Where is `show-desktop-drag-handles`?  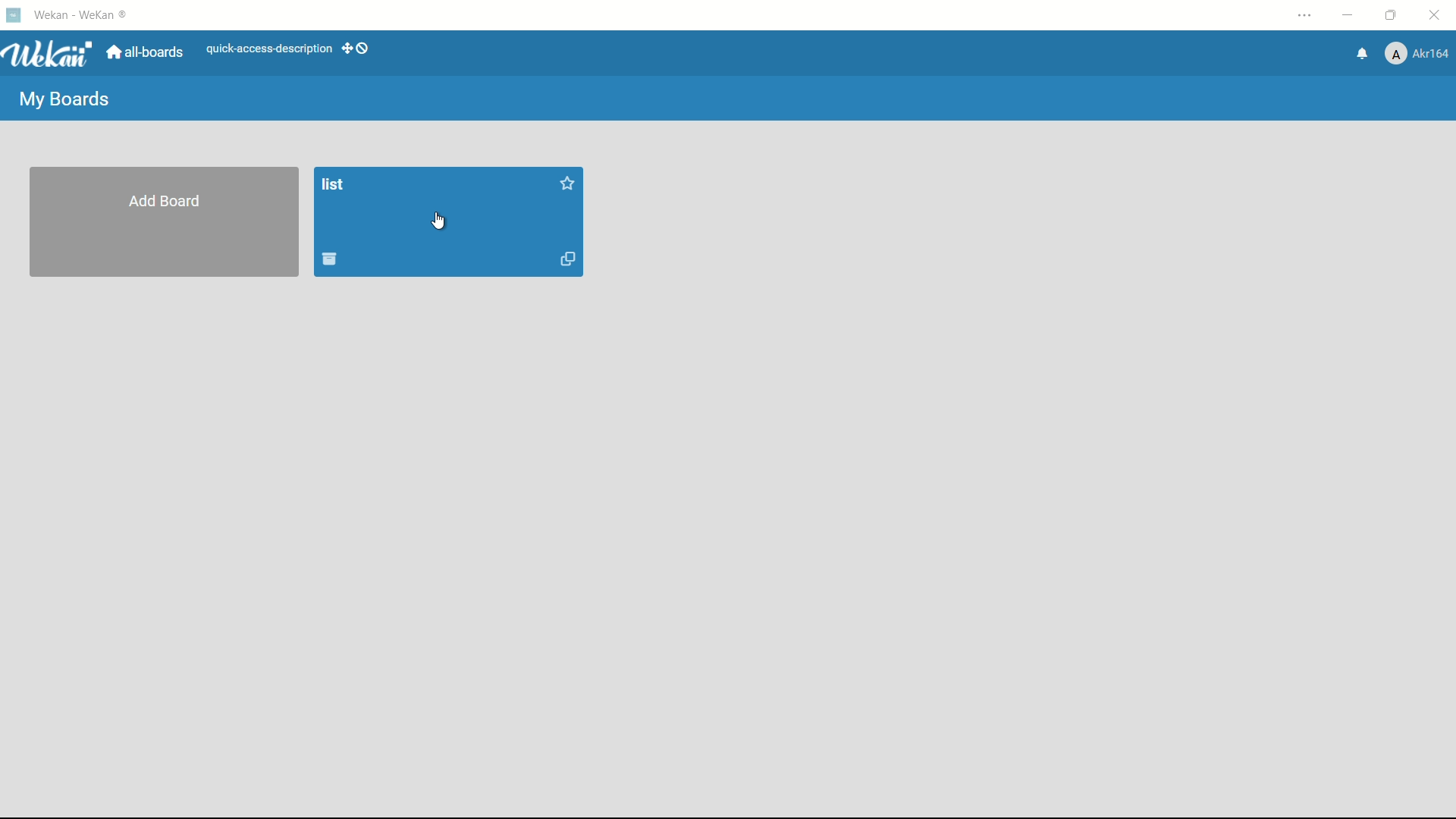 show-desktop-drag-handles is located at coordinates (357, 48).